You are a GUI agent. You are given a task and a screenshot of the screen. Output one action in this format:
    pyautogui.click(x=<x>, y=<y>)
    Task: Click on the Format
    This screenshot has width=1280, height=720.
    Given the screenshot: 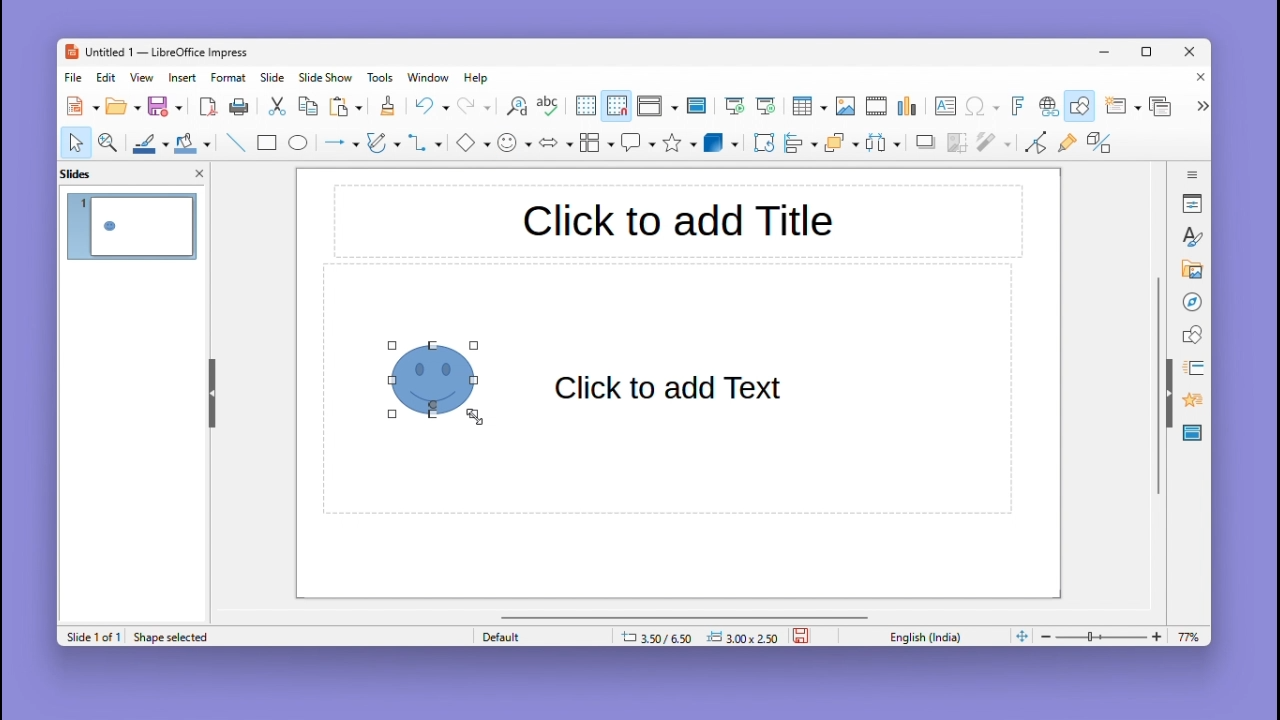 What is the action you would take?
    pyautogui.click(x=229, y=77)
    